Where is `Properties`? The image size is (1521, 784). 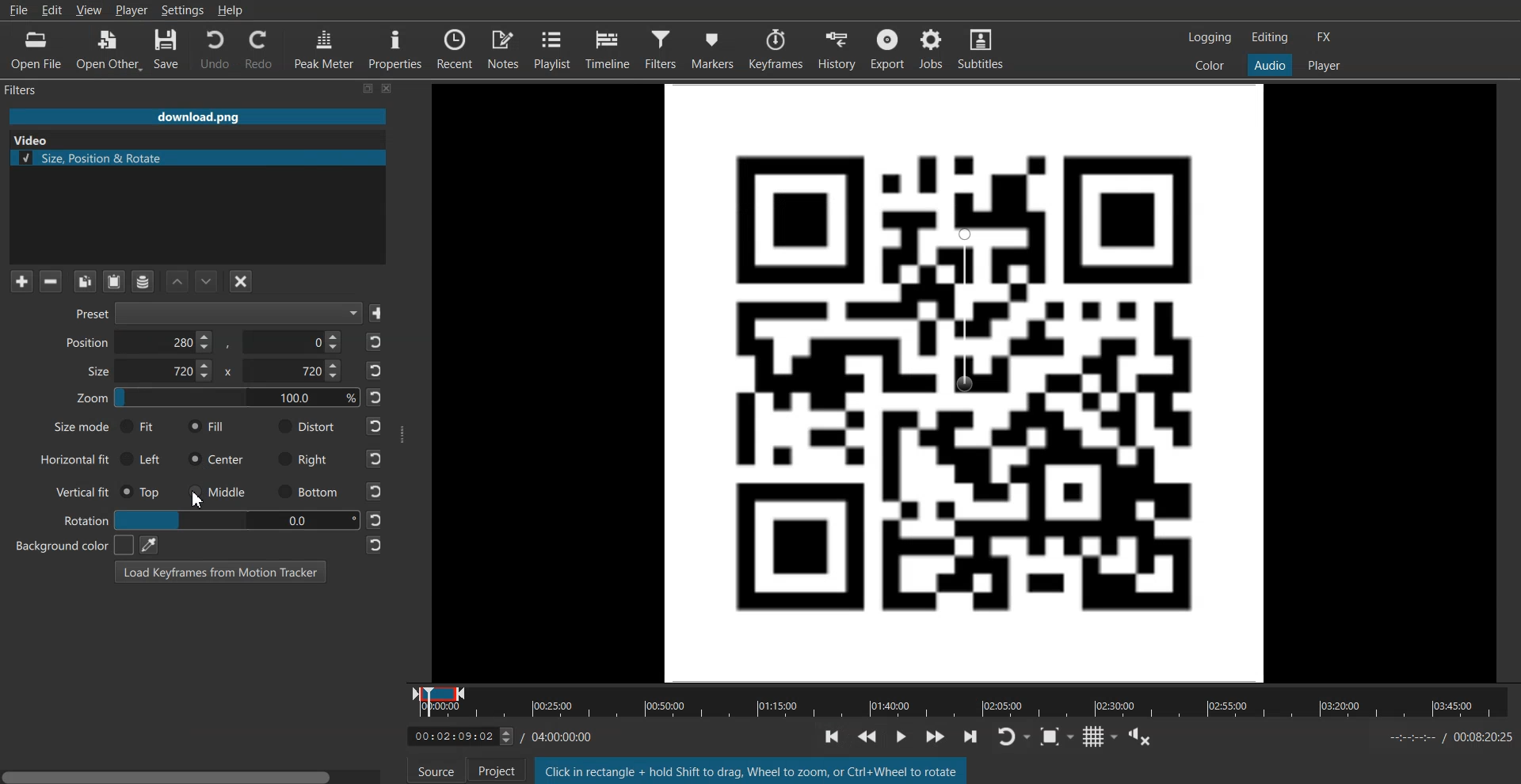
Properties is located at coordinates (395, 49).